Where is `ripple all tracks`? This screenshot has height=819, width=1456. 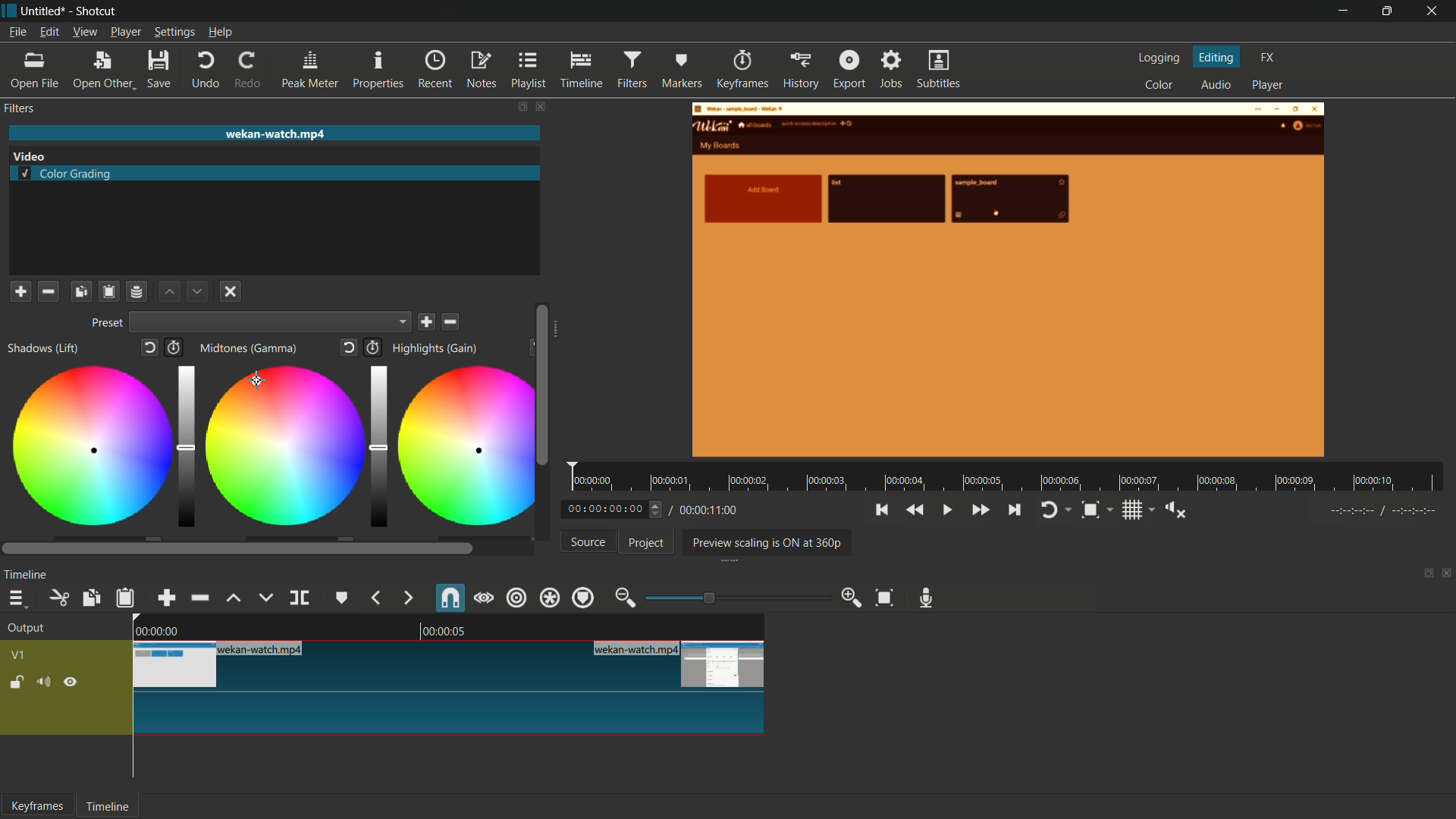
ripple all tracks is located at coordinates (548, 598).